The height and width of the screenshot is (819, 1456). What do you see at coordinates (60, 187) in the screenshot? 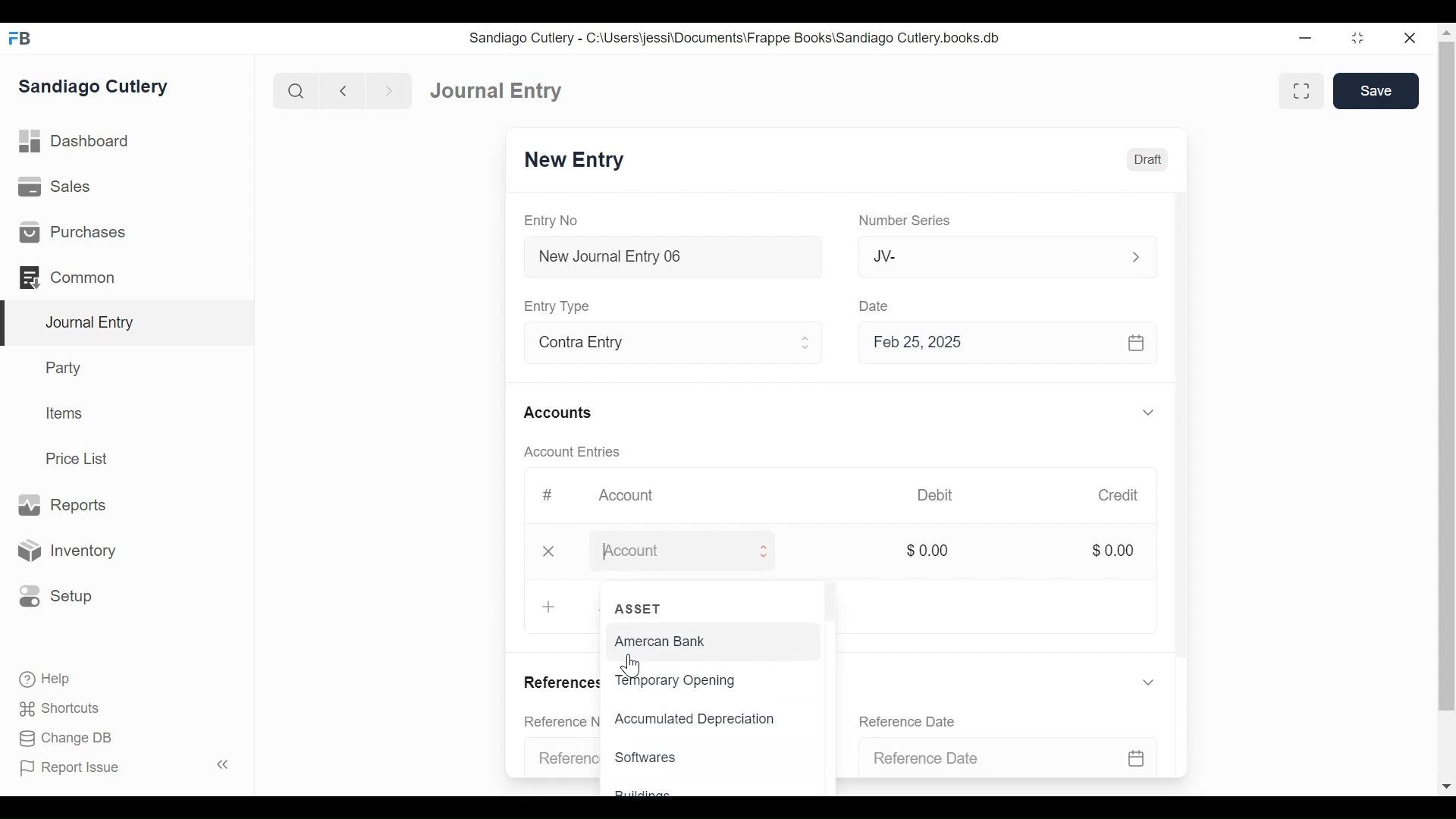
I see `Sales` at bounding box center [60, 187].